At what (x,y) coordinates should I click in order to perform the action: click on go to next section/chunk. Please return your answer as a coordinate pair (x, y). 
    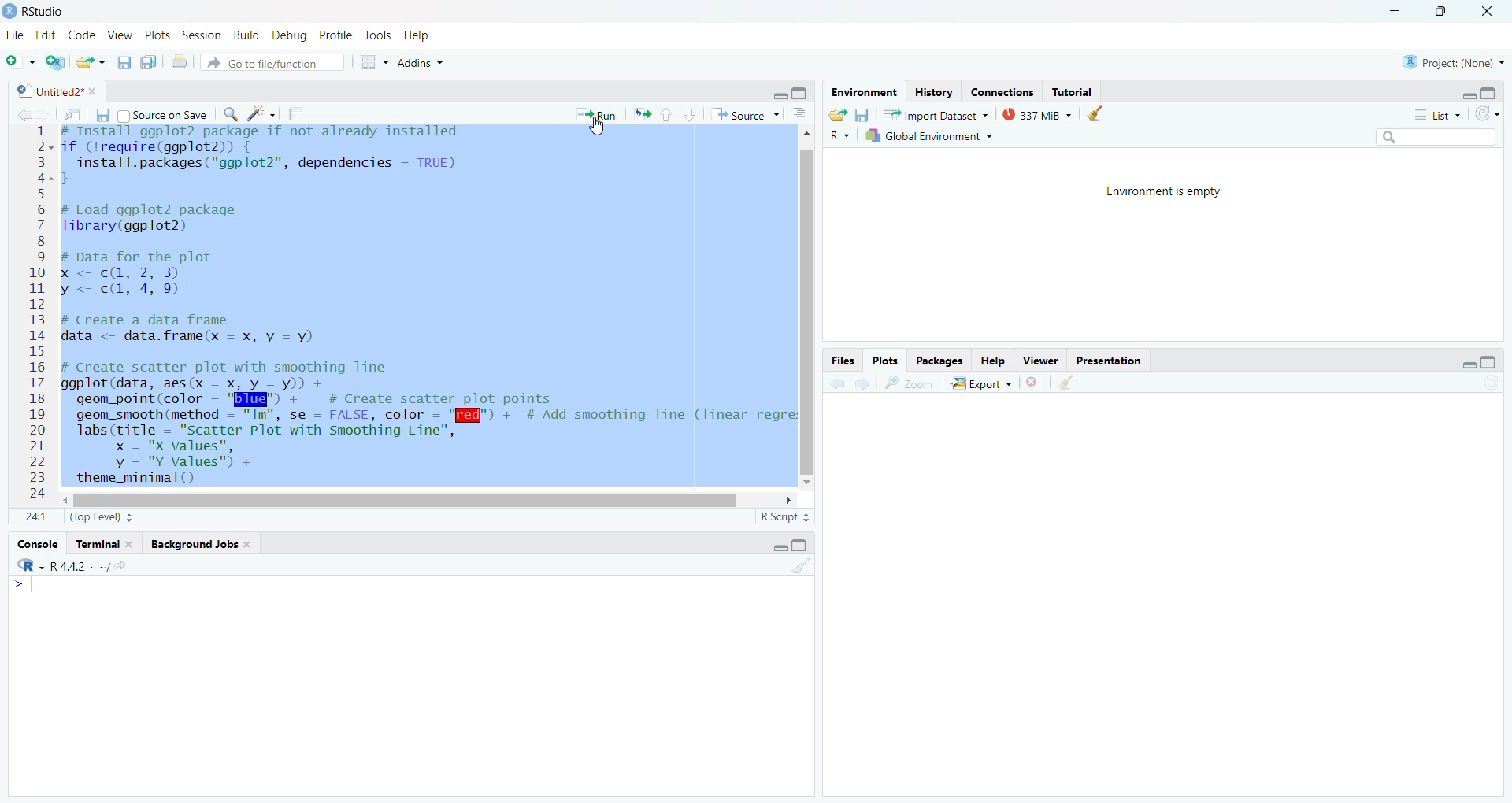
    Looking at the image, I should click on (692, 115).